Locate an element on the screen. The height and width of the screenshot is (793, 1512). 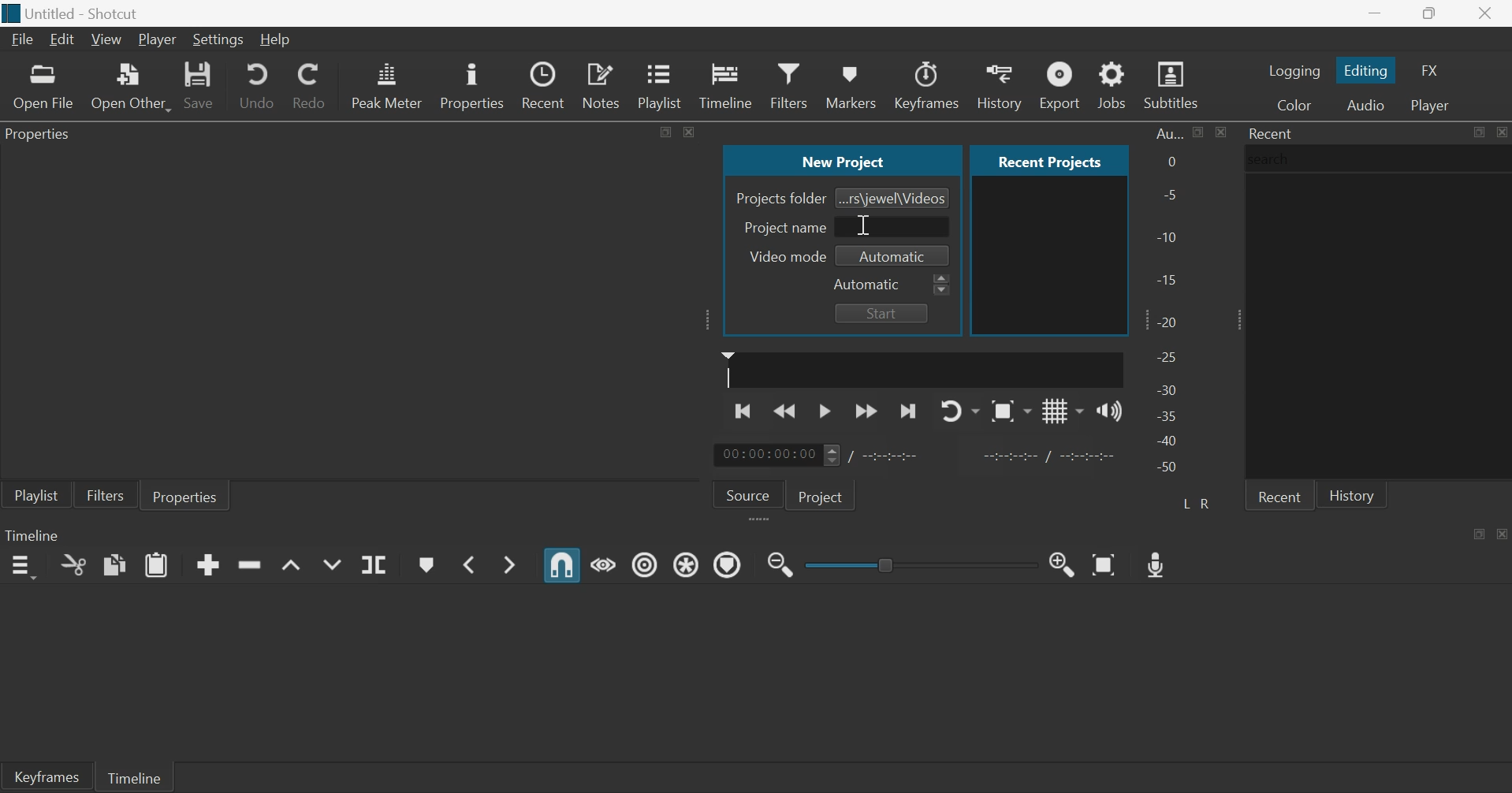
Start marker/End marker is located at coordinates (1052, 454).